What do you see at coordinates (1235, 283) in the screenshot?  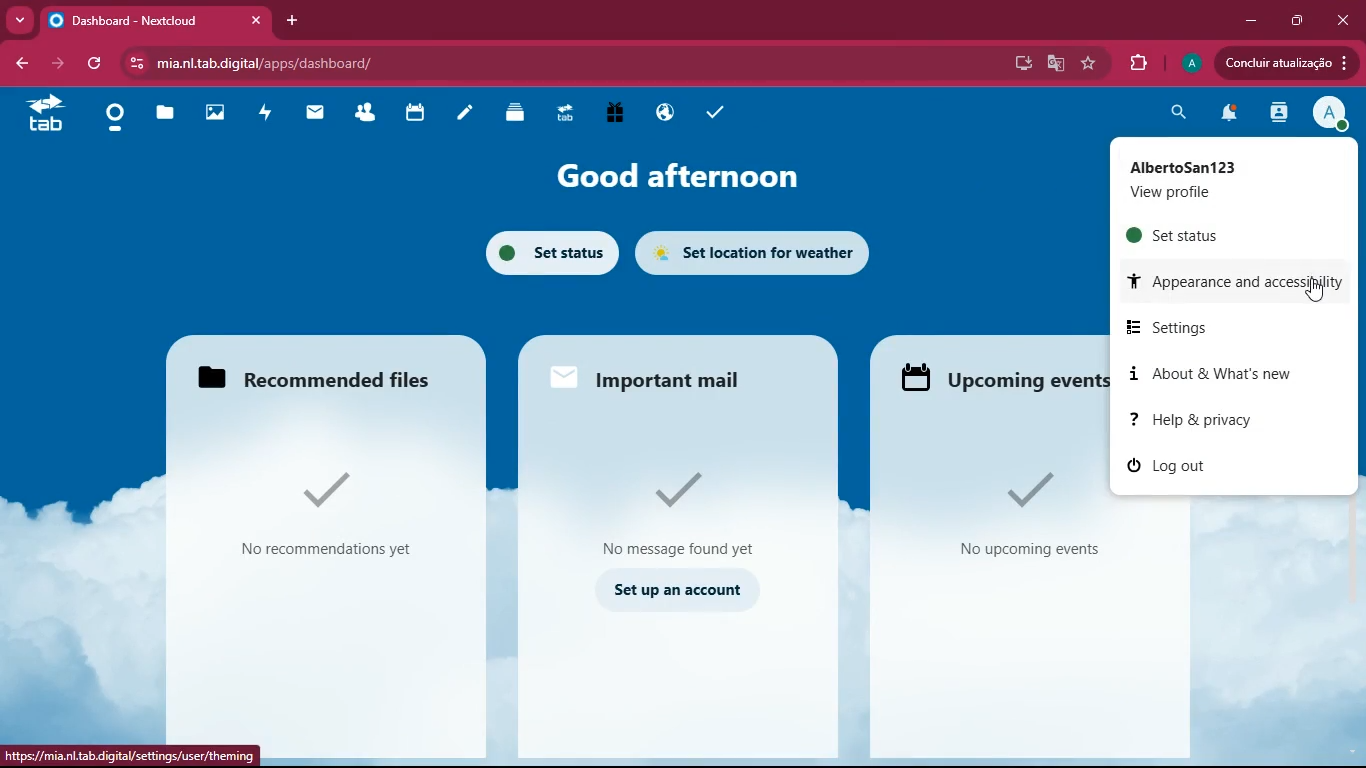 I see `appearance` at bounding box center [1235, 283].